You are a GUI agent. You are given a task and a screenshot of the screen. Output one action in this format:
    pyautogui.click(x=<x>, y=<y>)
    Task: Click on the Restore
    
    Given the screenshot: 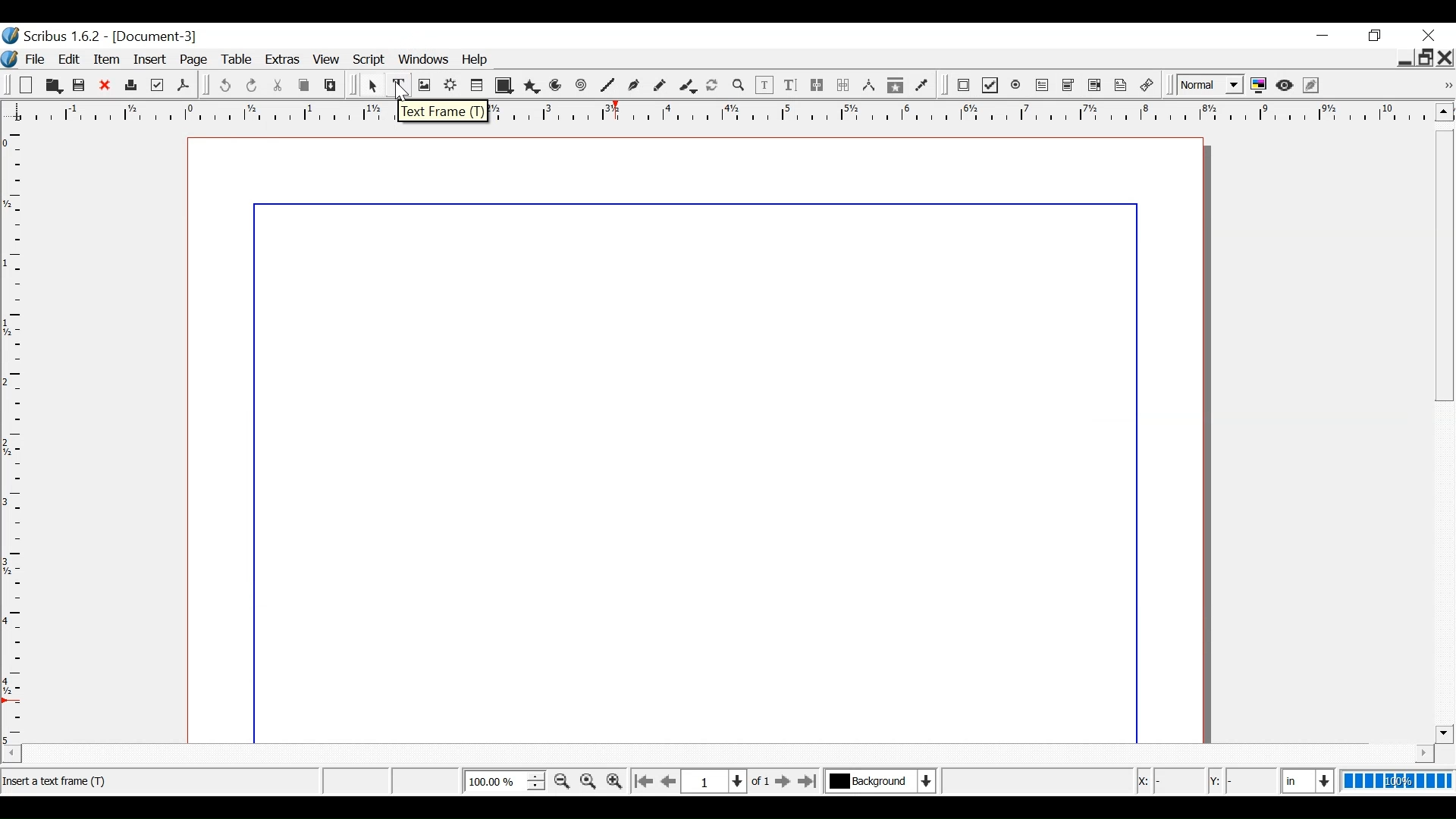 What is the action you would take?
    pyautogui.click(x=1376, y=36)
    